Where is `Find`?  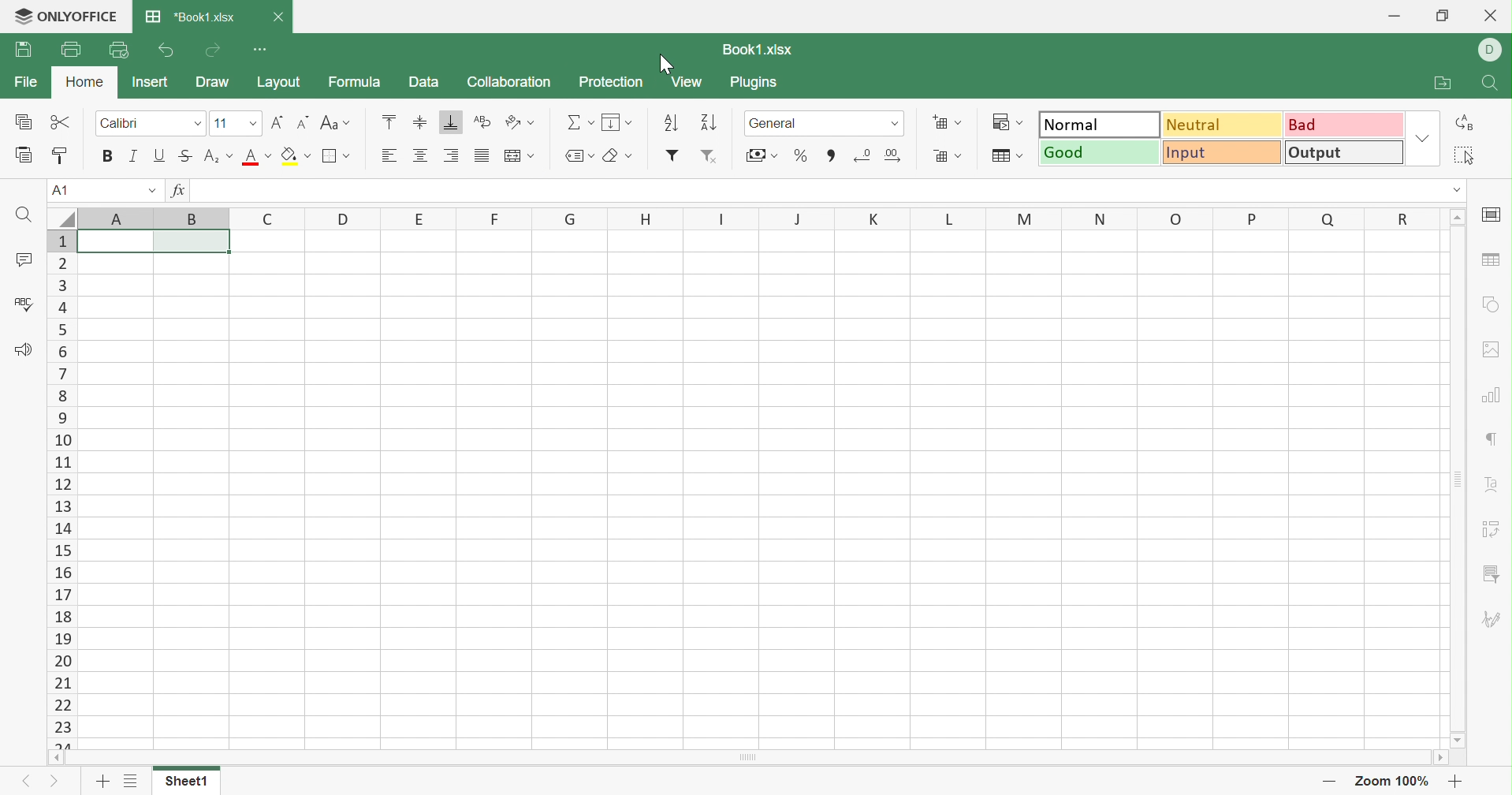
Find is located at coordinates (22, 216).